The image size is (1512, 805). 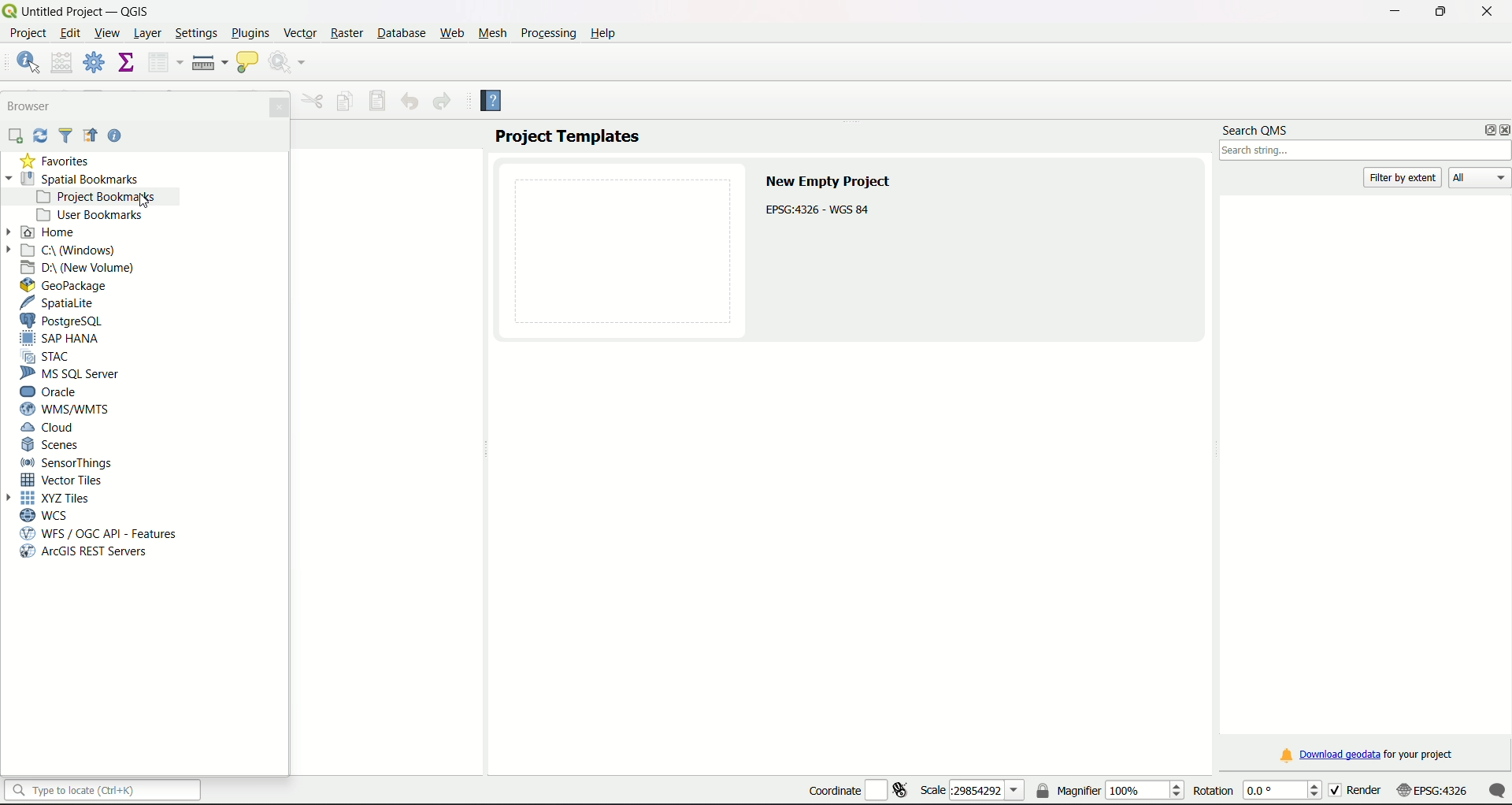 What do you see at coordinates (62, 339) in the screenshot?
I see `SAP Hana` at bounding box center [62, 339].